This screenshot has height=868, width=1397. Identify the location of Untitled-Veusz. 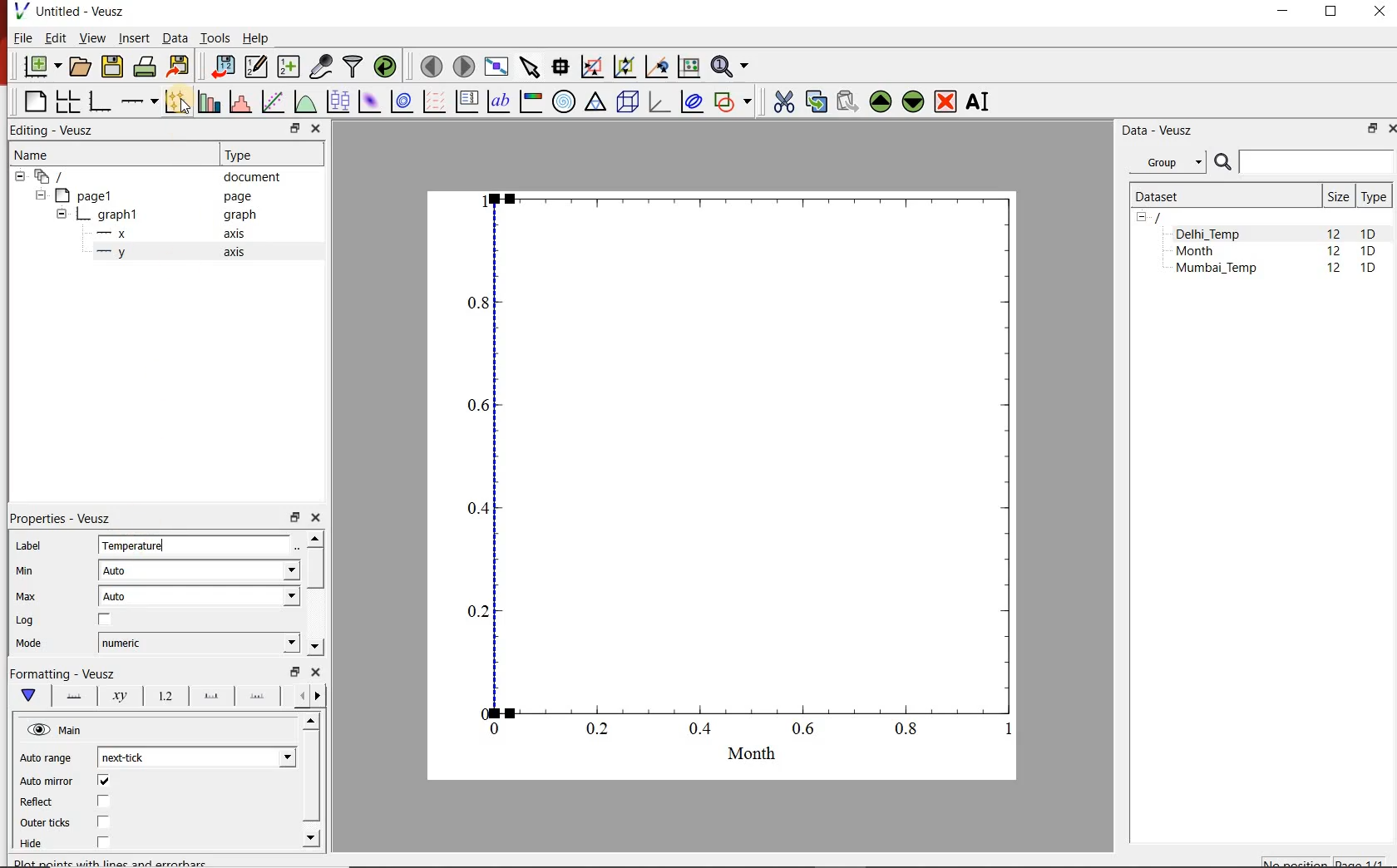
(74, 11).